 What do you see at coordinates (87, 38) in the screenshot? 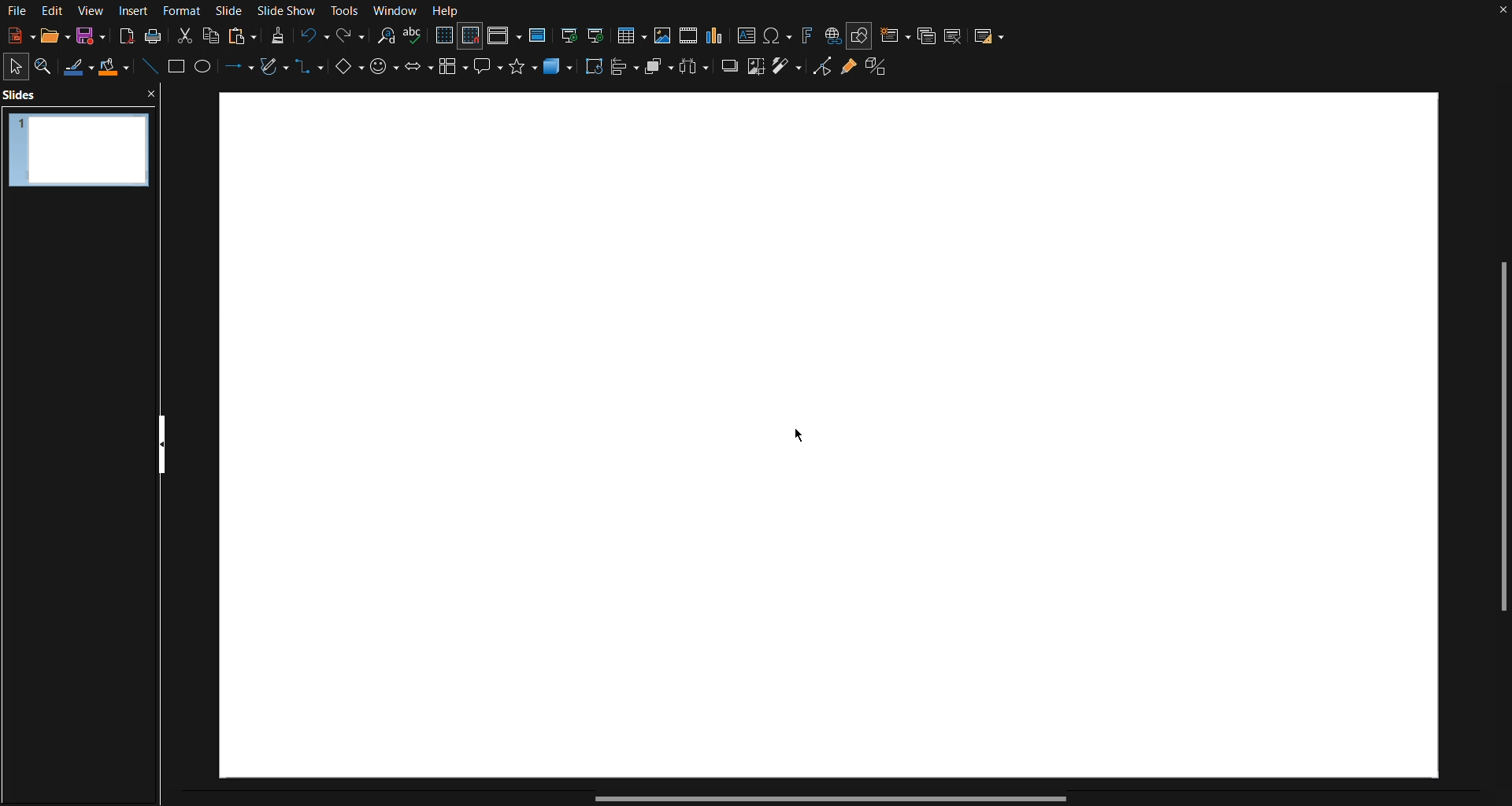
I see `Save` at bounding box center [87, 38].